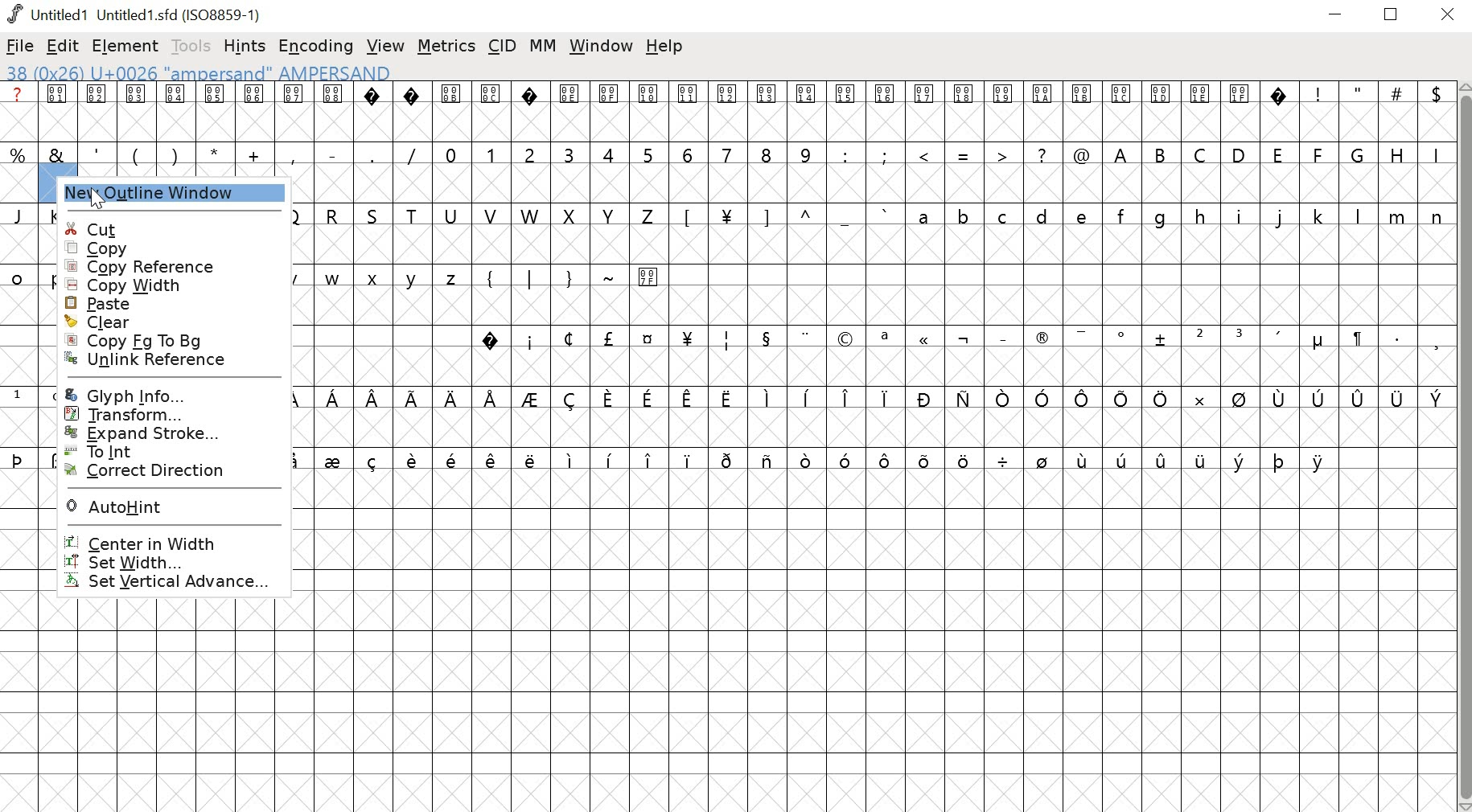 Image resolution: width=1472 pixels, height=812 pixels. I want to click on 2, so click(529, 153).